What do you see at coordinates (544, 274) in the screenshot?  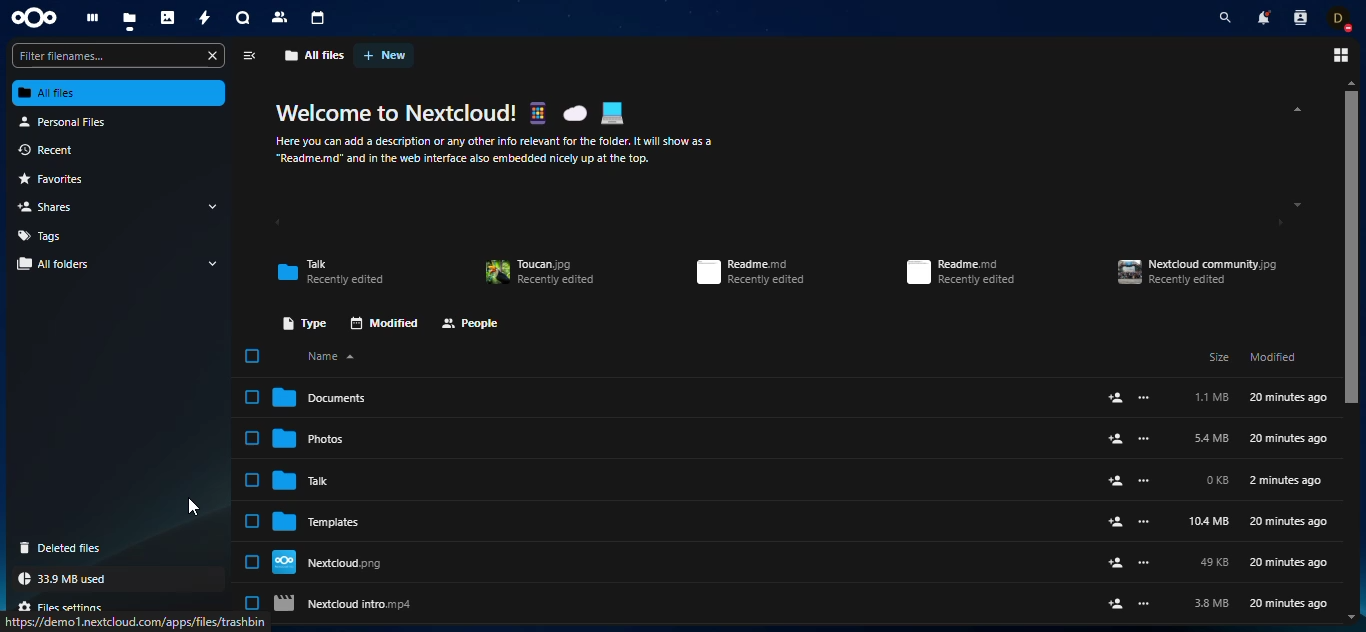 I see `Toucan.jpg Recently edited` at bounding box center [544, 274].